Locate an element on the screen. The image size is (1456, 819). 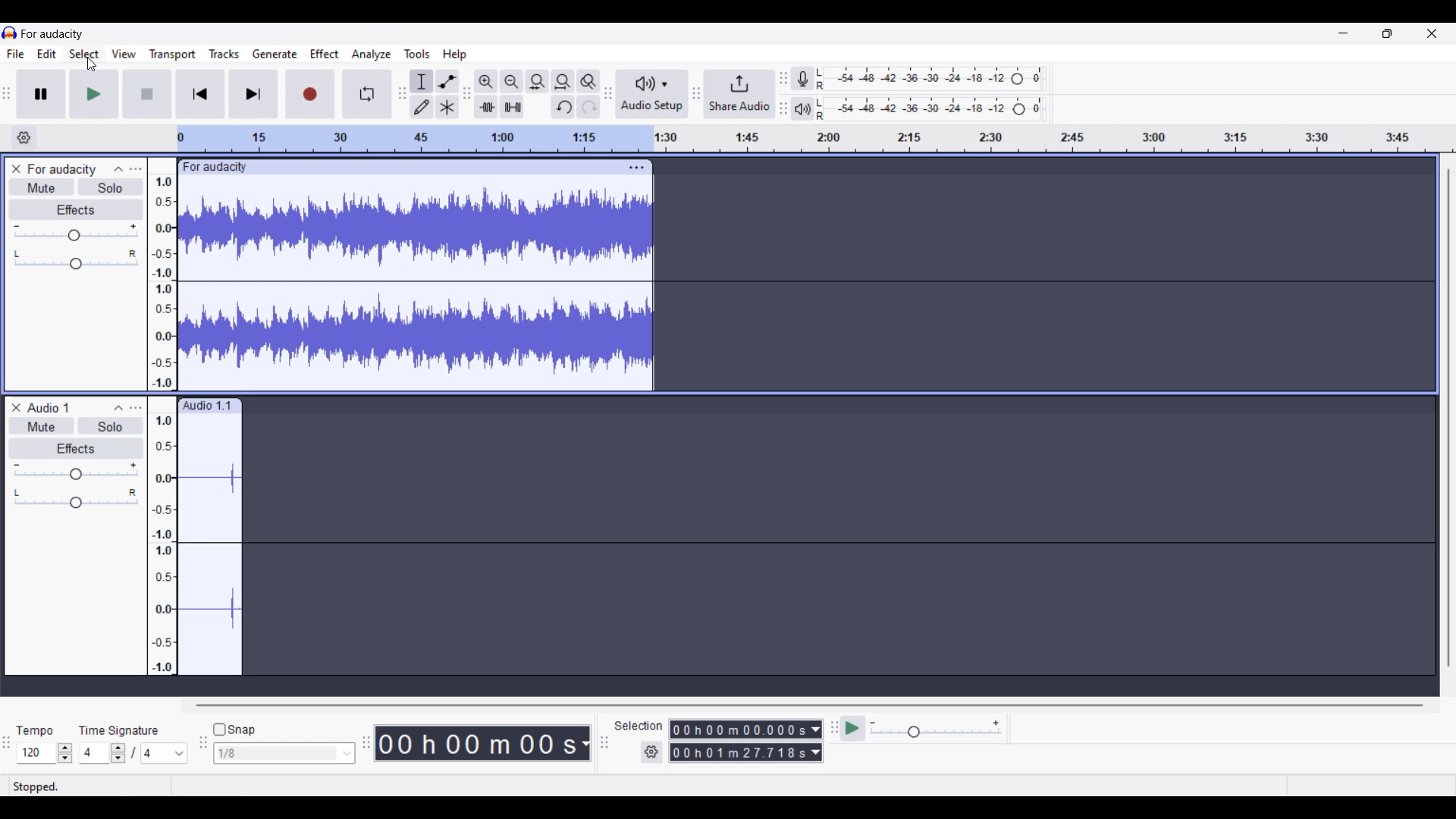
effects is located at coordinates (76, 449).